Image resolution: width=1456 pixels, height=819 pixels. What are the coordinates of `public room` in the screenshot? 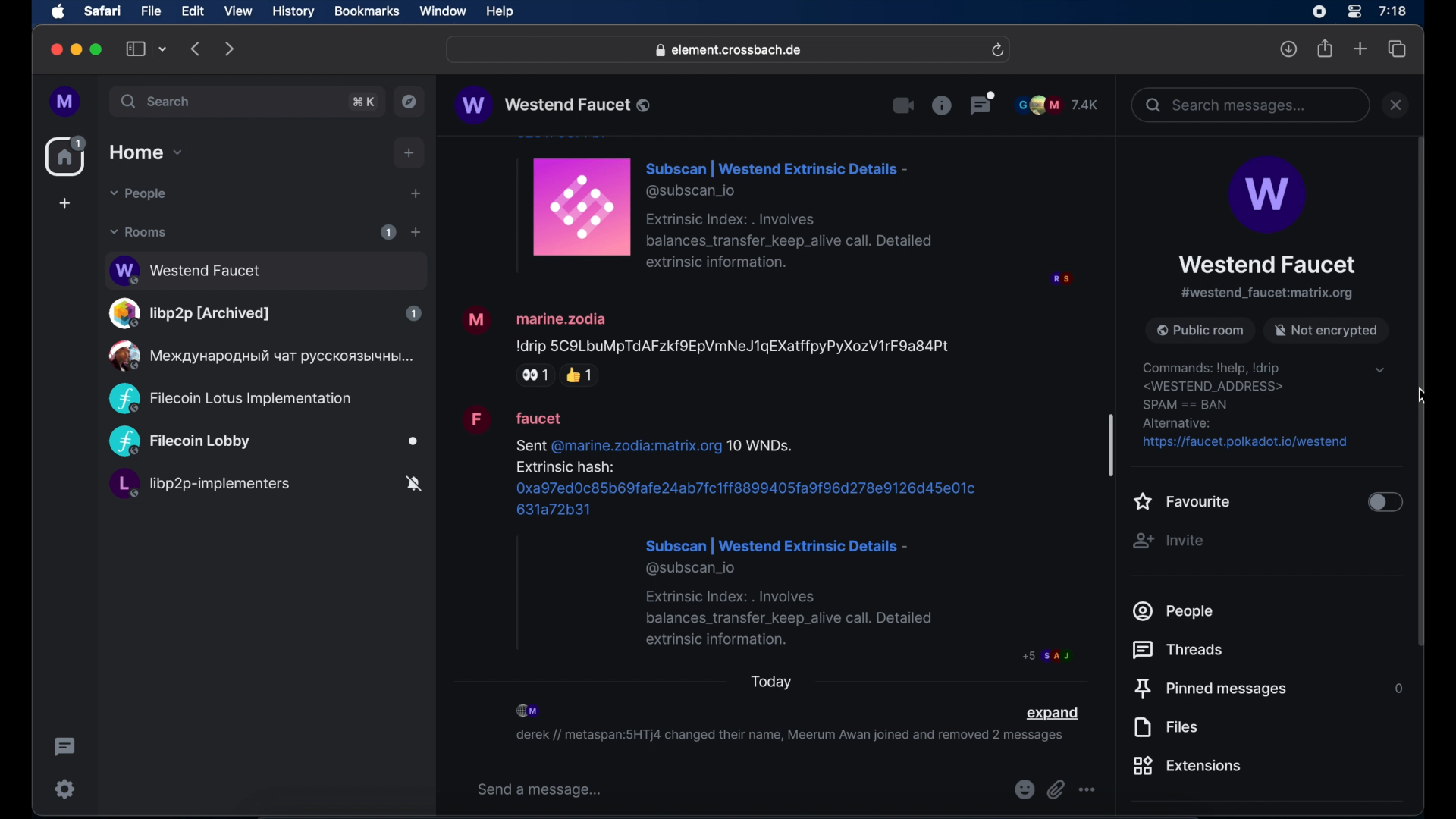 It's located at (265, 313).